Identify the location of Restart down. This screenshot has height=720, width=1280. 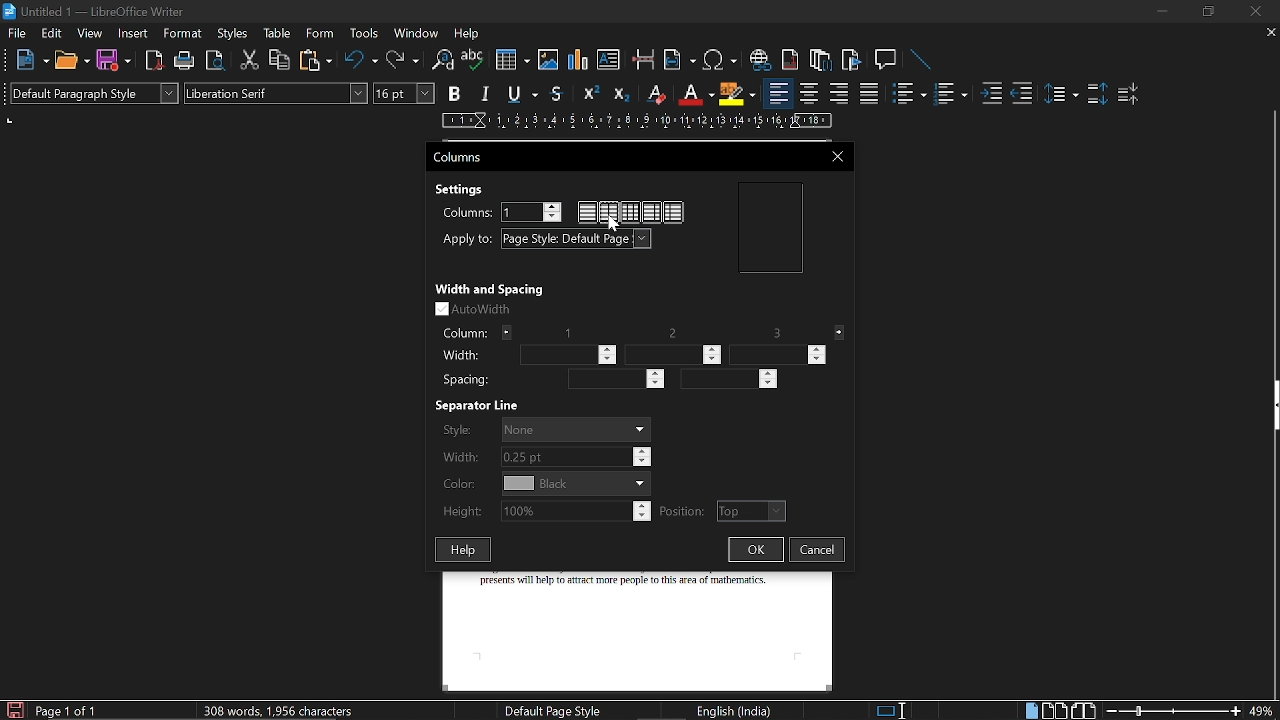
(1206, 14).